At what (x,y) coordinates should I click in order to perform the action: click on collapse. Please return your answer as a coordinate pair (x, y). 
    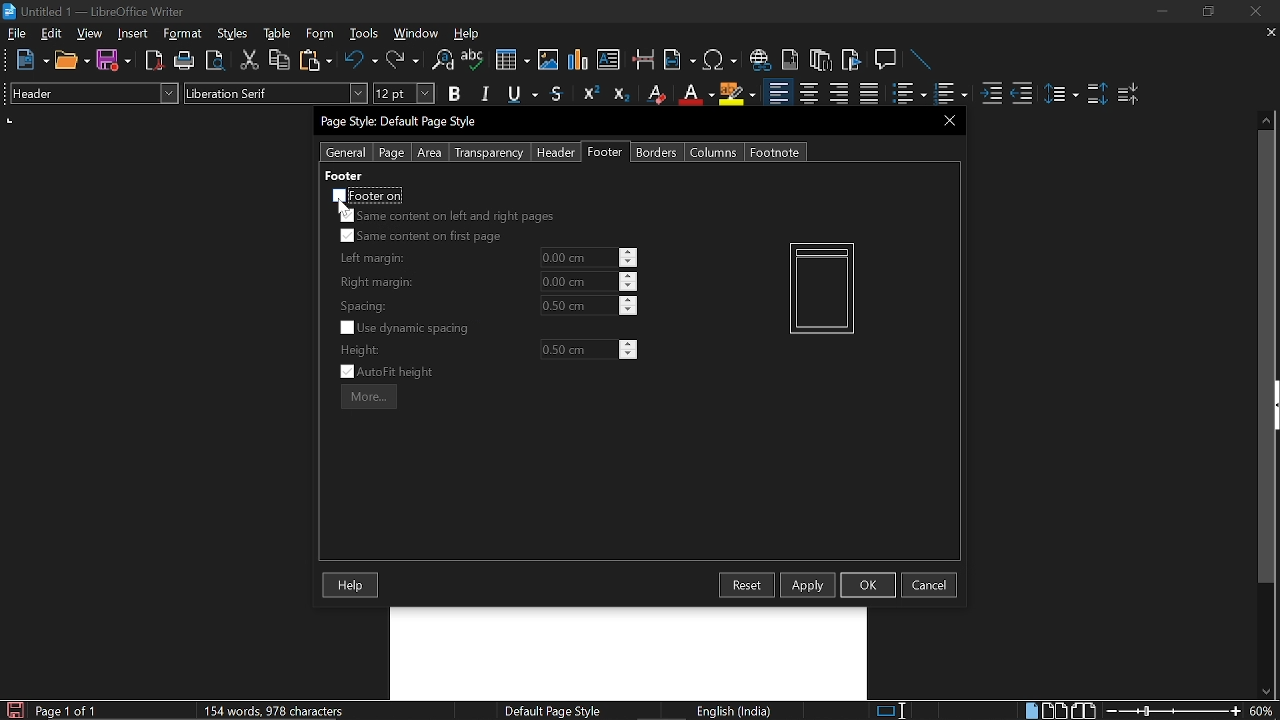
    Looking at the image, I should click on (1275, 406).